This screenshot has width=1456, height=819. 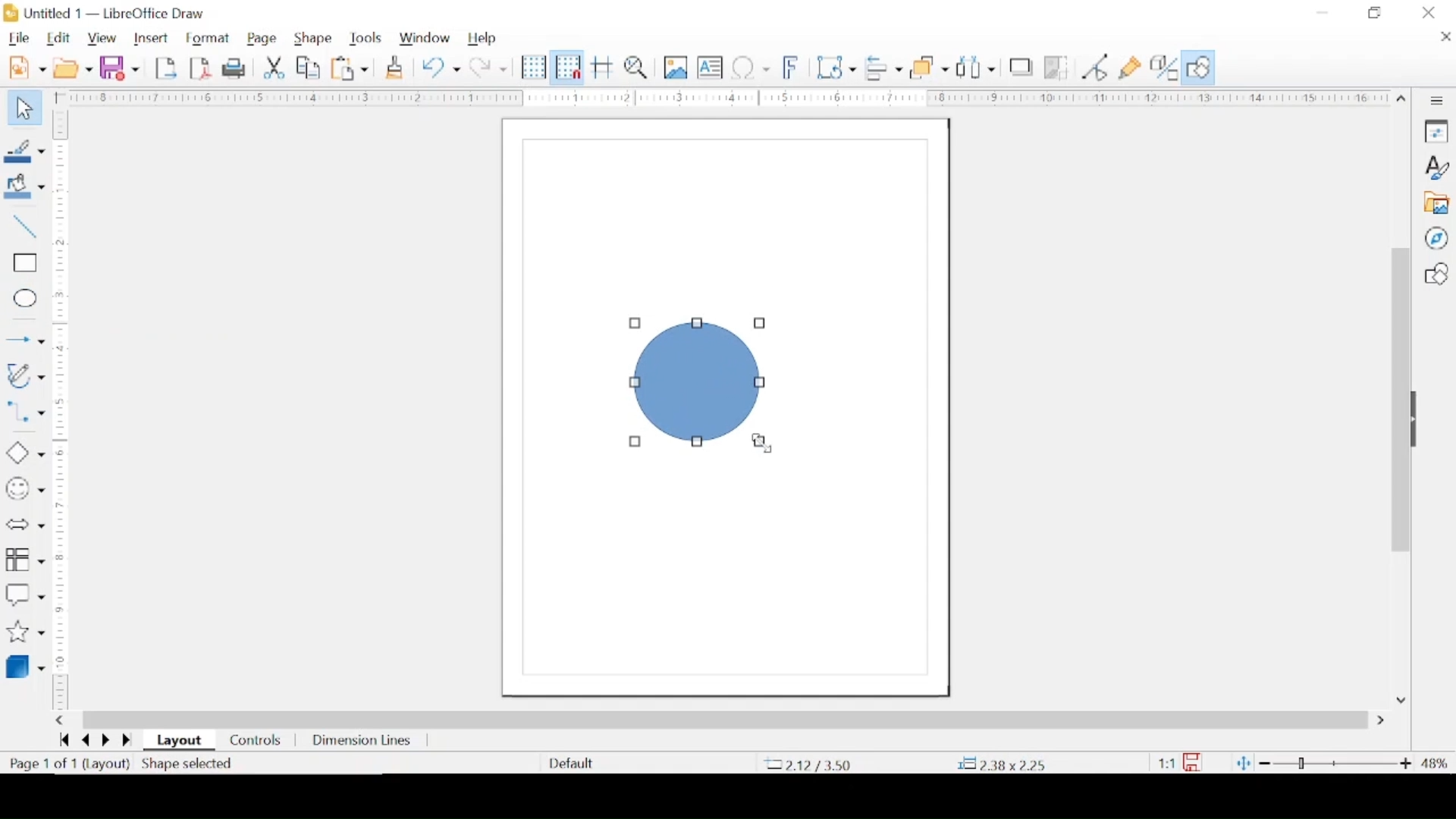 I want to click on insert special characters, so click(x=752, y=67).